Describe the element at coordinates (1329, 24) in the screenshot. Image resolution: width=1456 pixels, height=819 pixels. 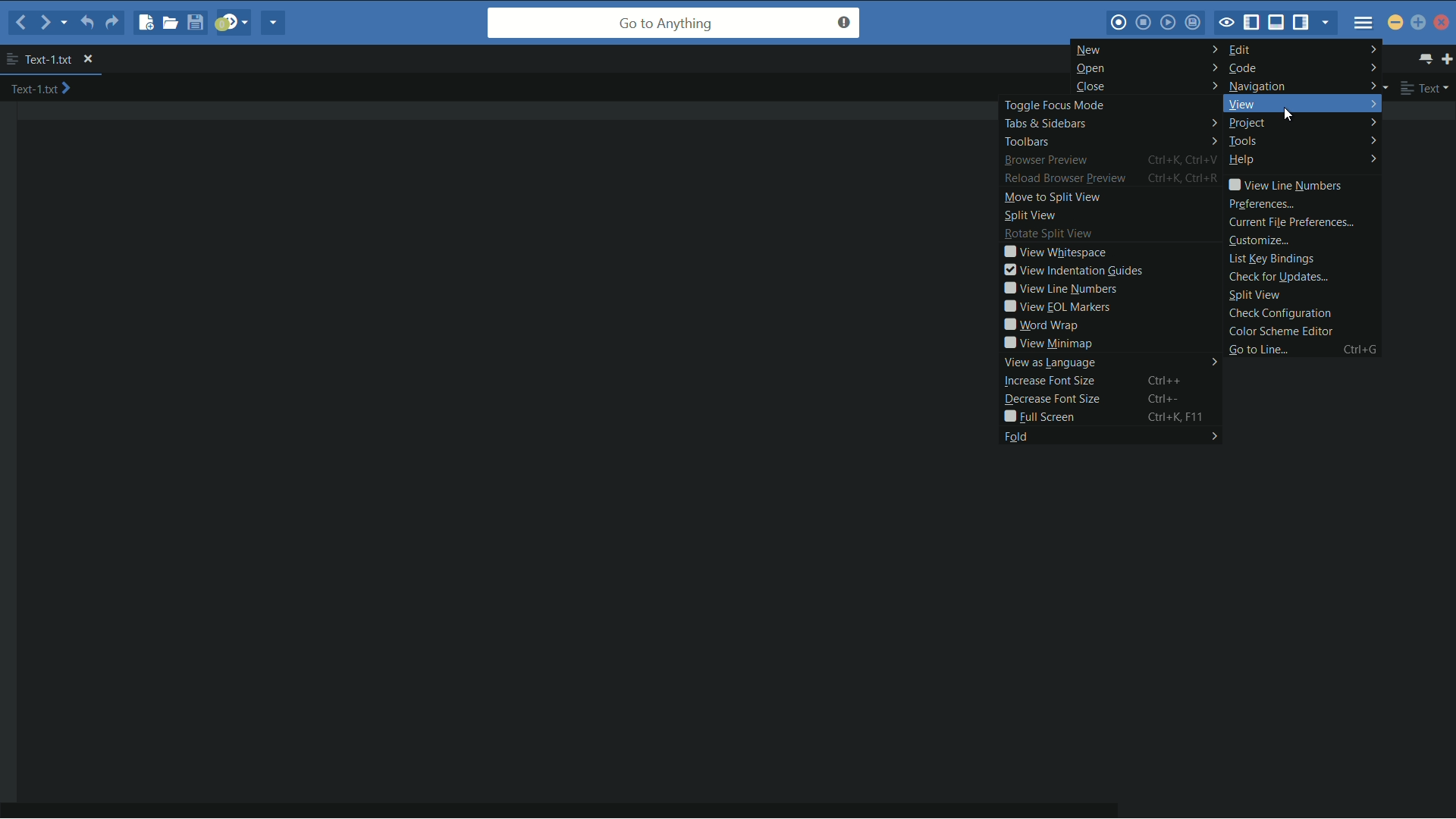
I see `show specific sidebar/tab` at that location.